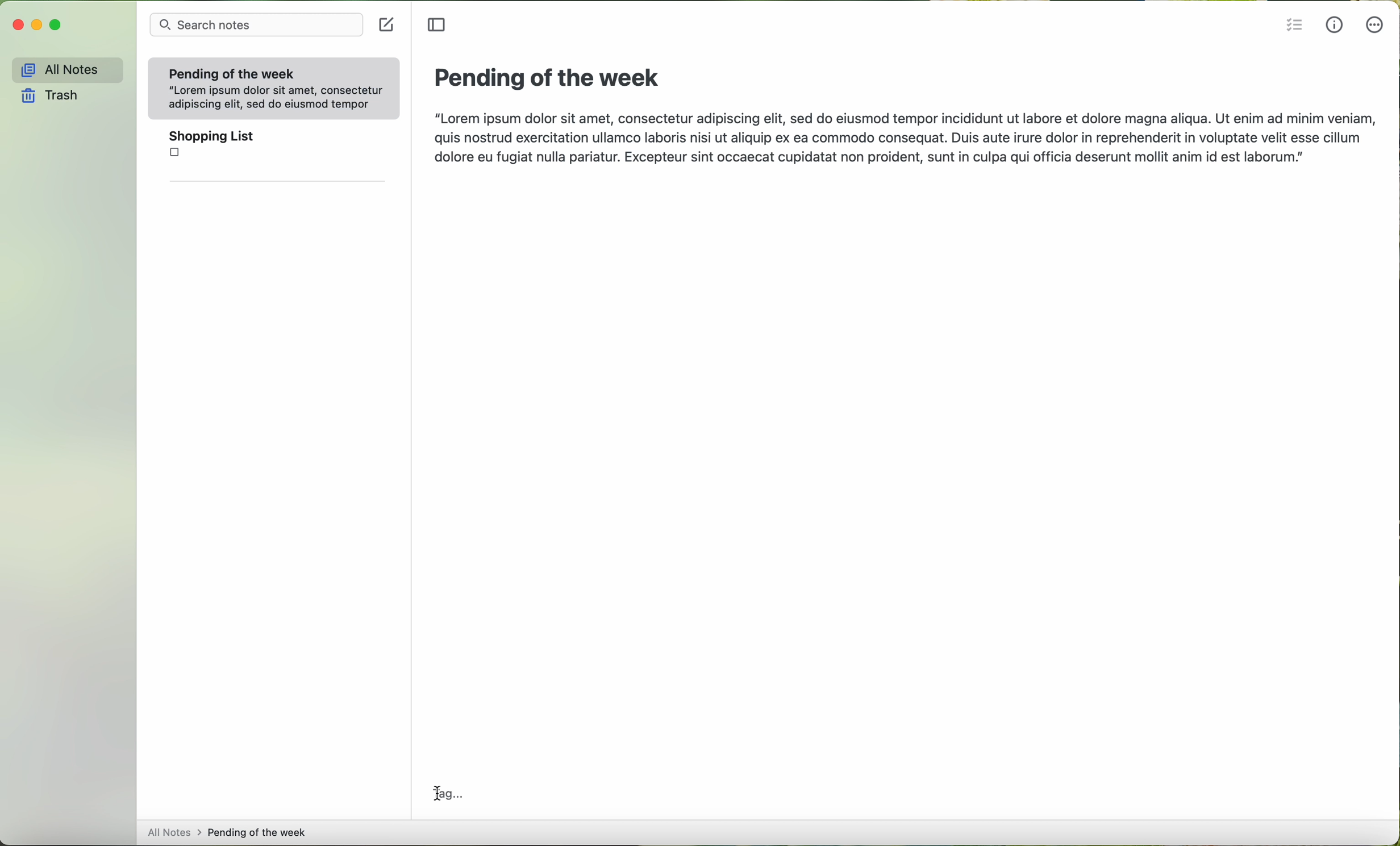  What do you see at coordinates (229, 830) in the screenshot?
I see `all notes > pending fo the week` at bounding box center [229, 830].